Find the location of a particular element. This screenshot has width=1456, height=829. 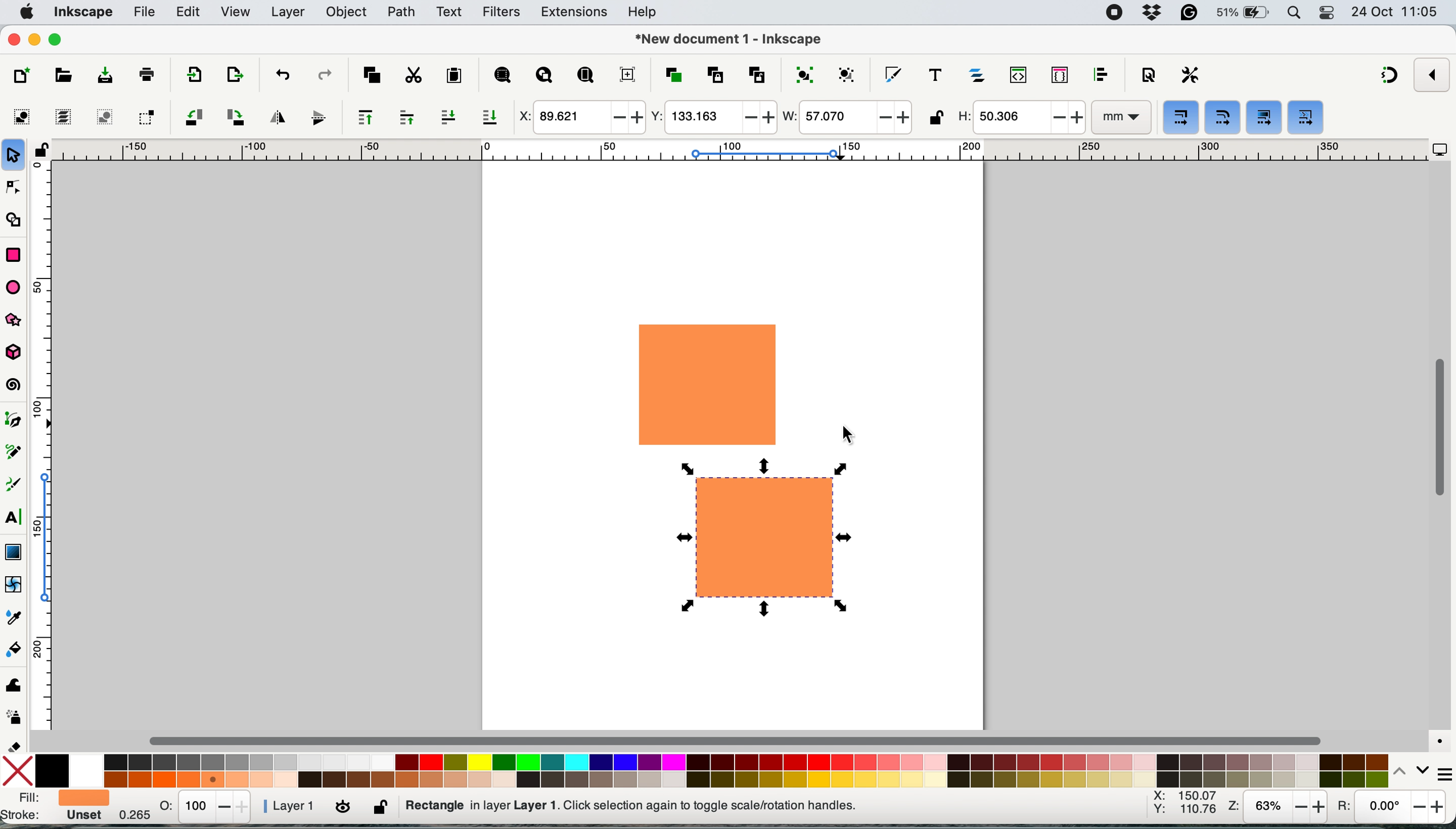

unlink clone is located at coordinates (757, 73).